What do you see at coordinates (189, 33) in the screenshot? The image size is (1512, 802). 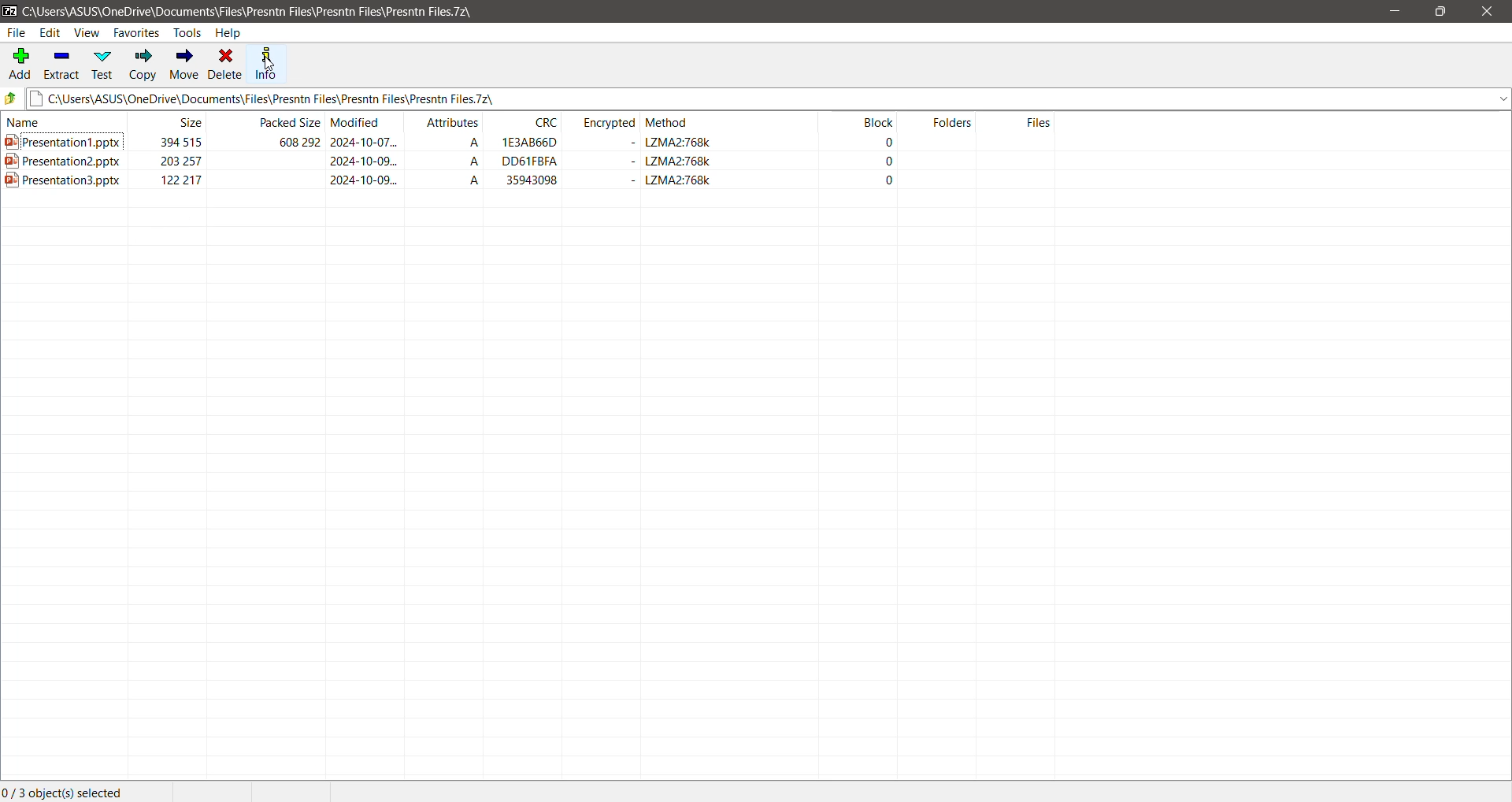 I see `Tools` at bounding box center [189, 33].